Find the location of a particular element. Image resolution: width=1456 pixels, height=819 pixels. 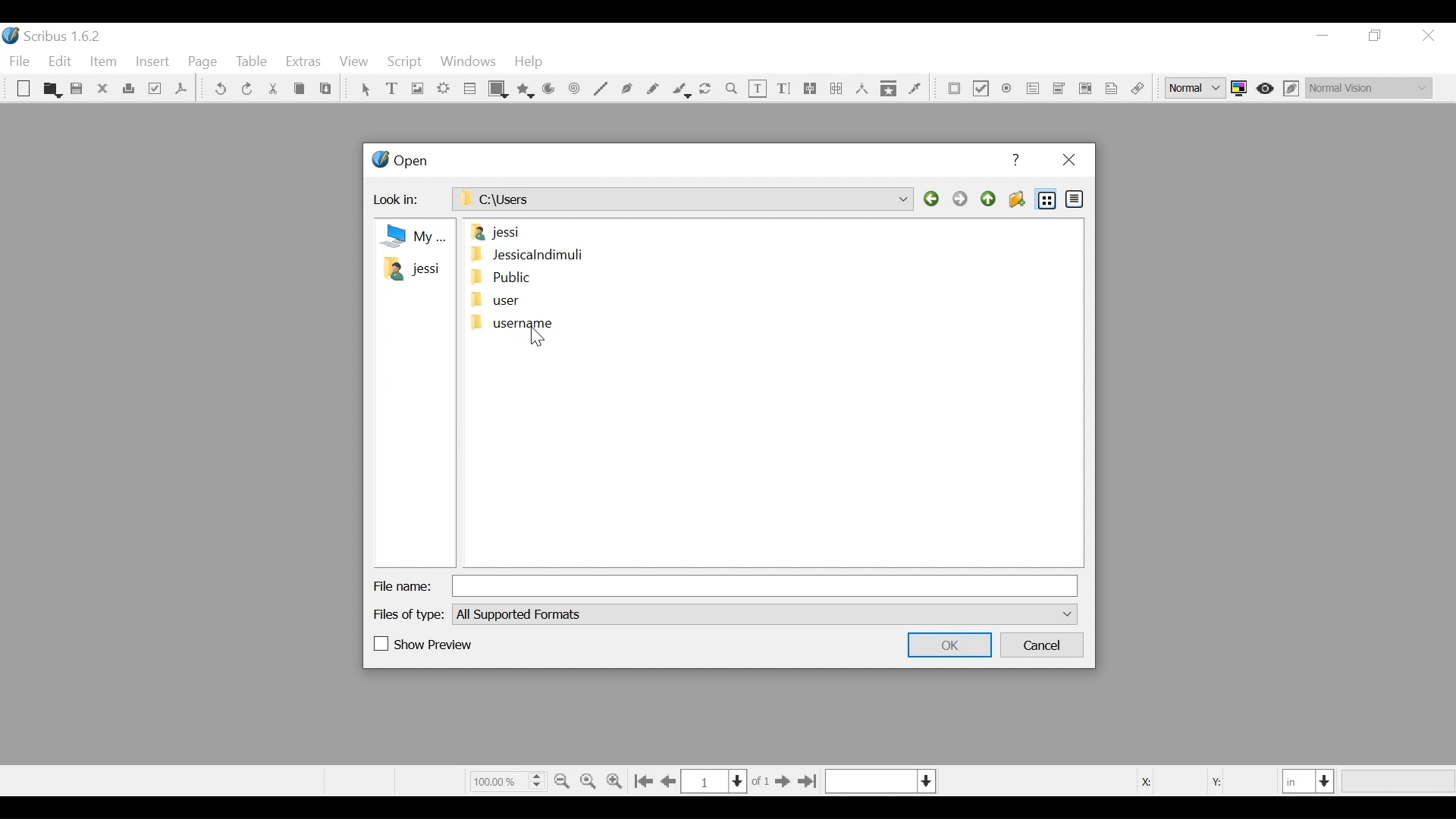

Folders is located at coordinates (529, 280).